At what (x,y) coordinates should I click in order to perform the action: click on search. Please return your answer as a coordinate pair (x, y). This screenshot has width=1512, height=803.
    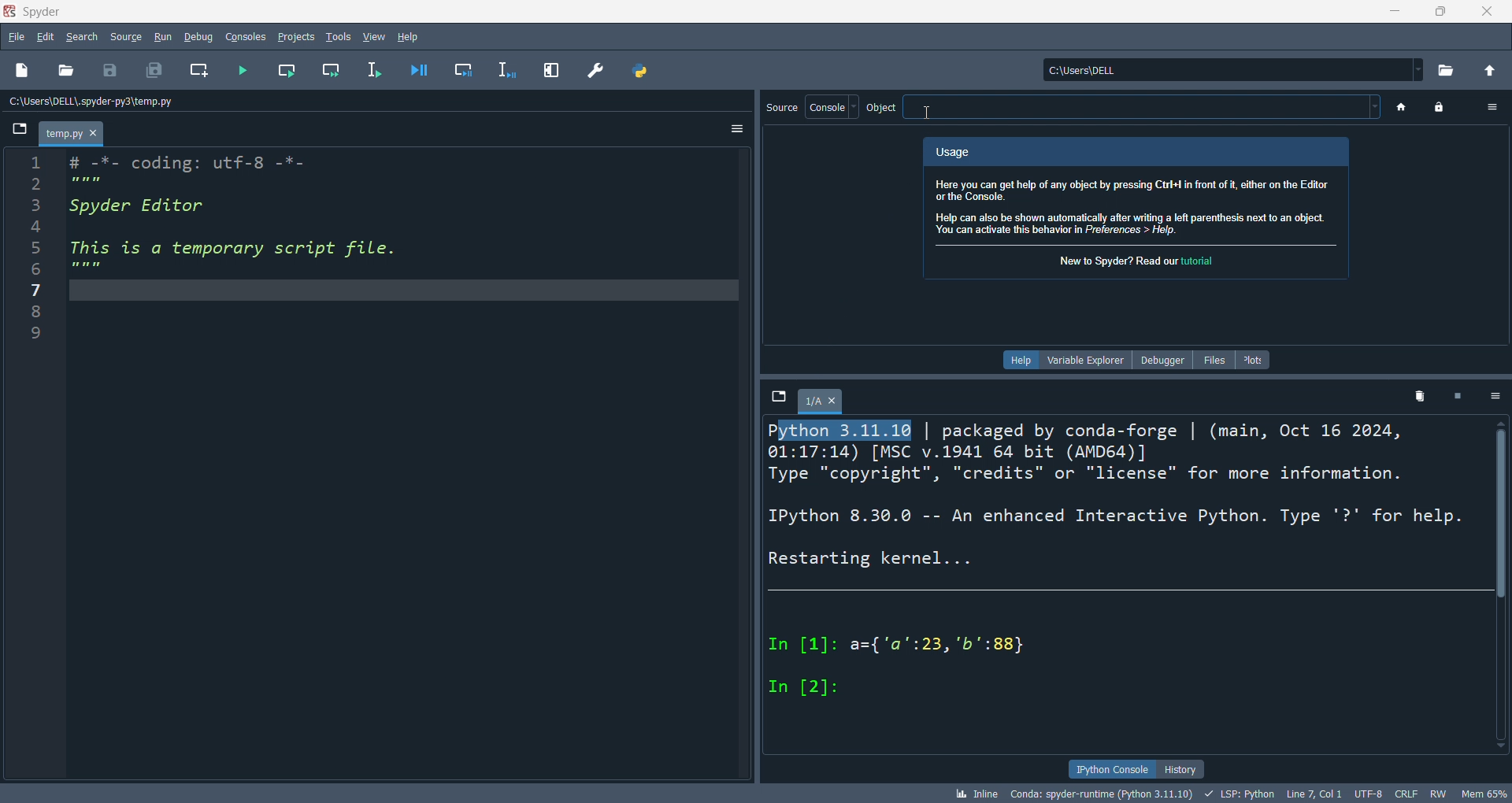
    Looking at the image, I should click on (80, 33).